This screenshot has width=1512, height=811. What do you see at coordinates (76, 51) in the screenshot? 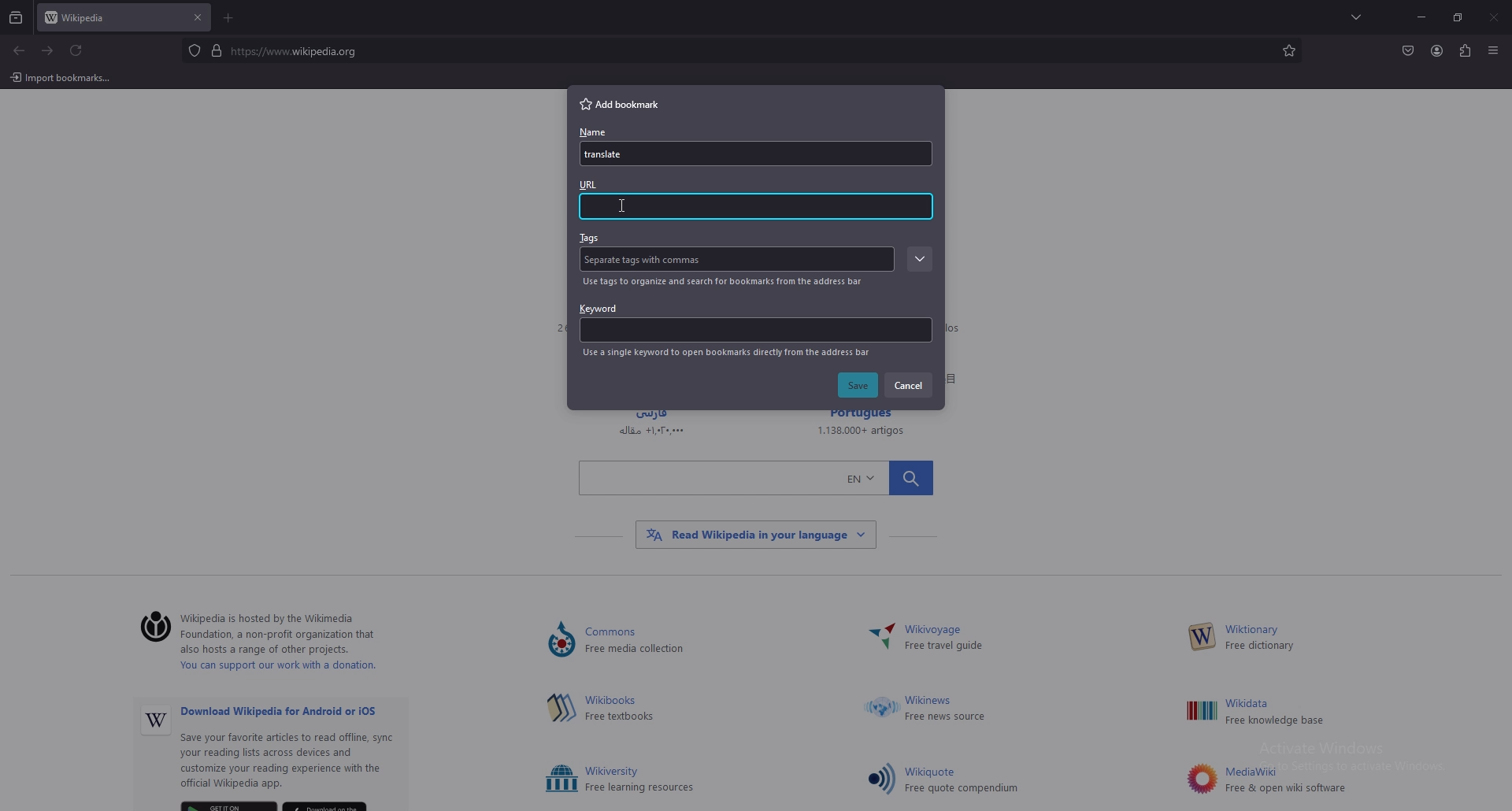
I see `refresh` at bounding box center [76, 51].